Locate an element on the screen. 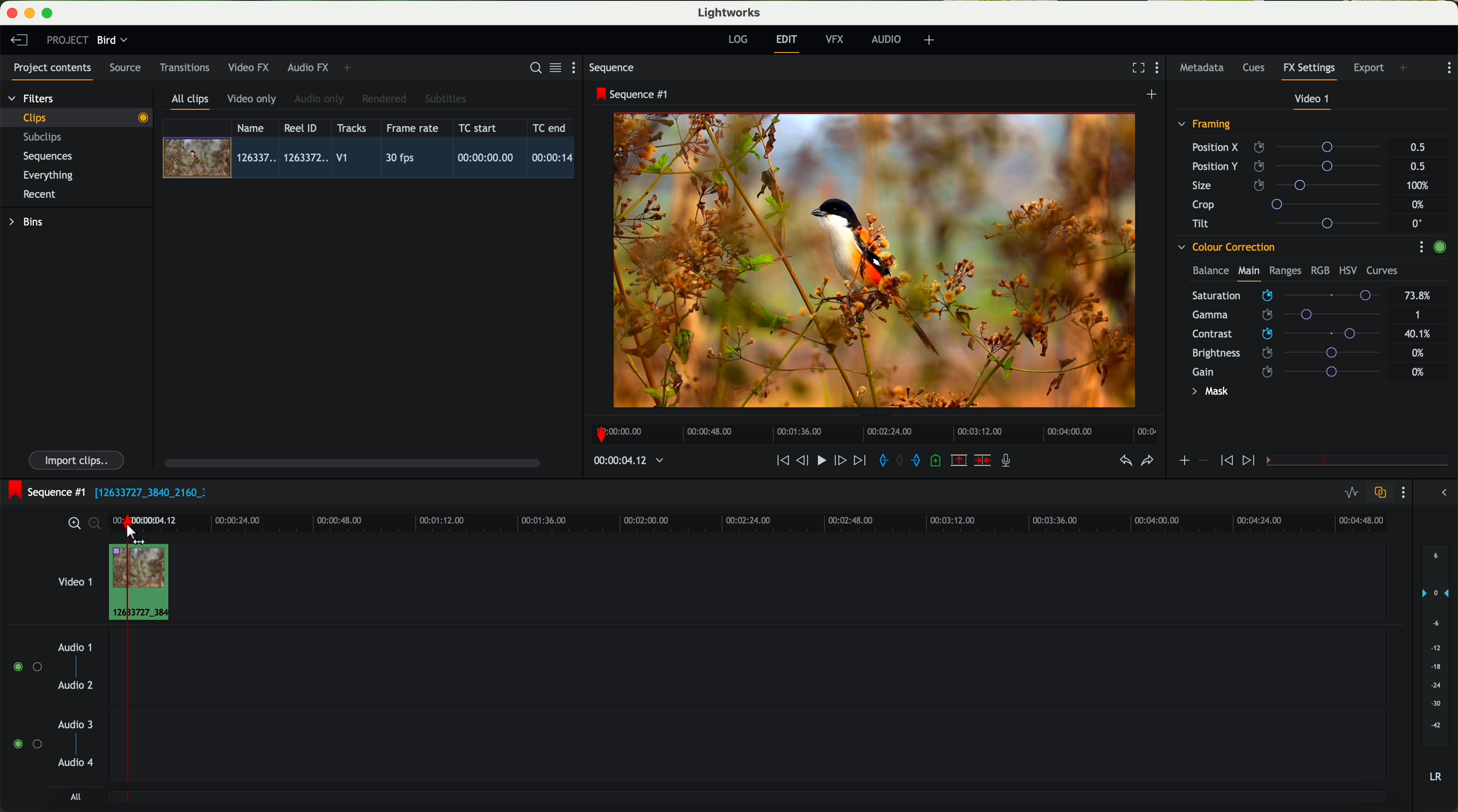 The height and width of the screenshot is (812, 1458). move foward is located at coordinates (859, 461).